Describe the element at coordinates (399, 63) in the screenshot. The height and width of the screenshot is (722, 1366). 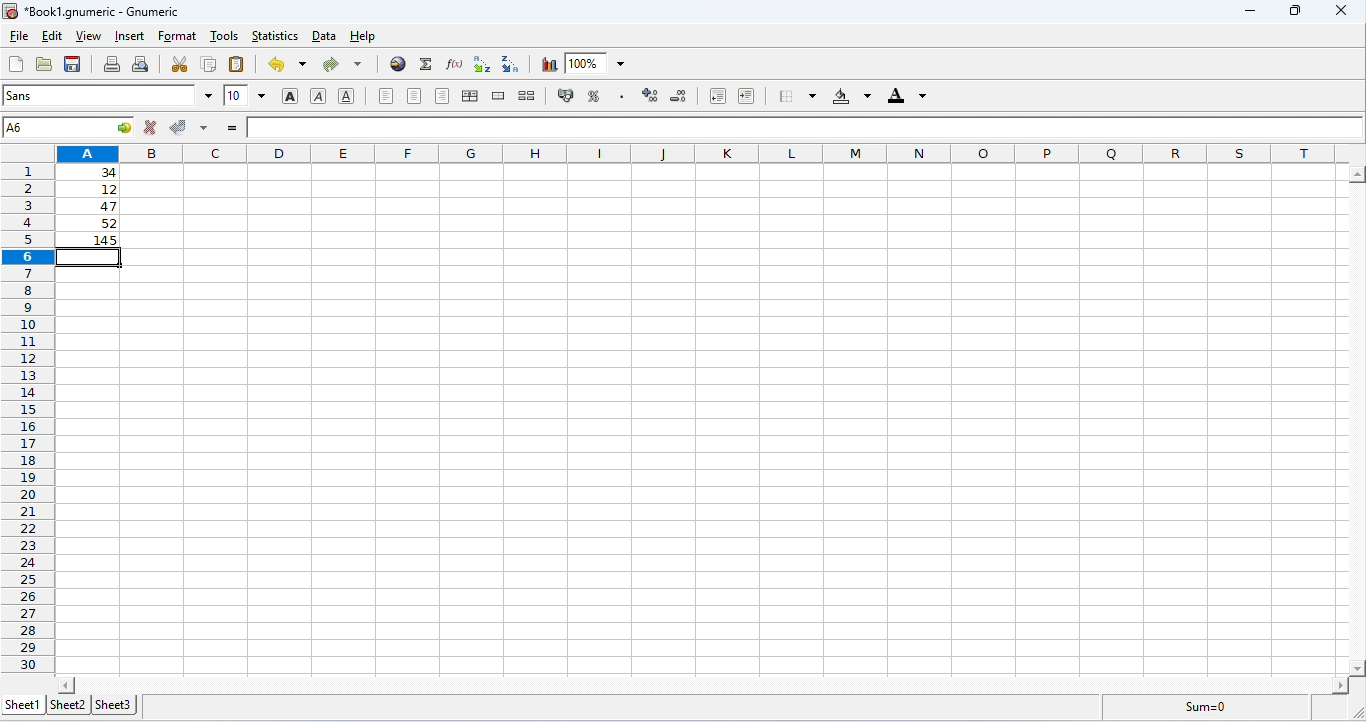
I see `insert hyperlink` at that location.